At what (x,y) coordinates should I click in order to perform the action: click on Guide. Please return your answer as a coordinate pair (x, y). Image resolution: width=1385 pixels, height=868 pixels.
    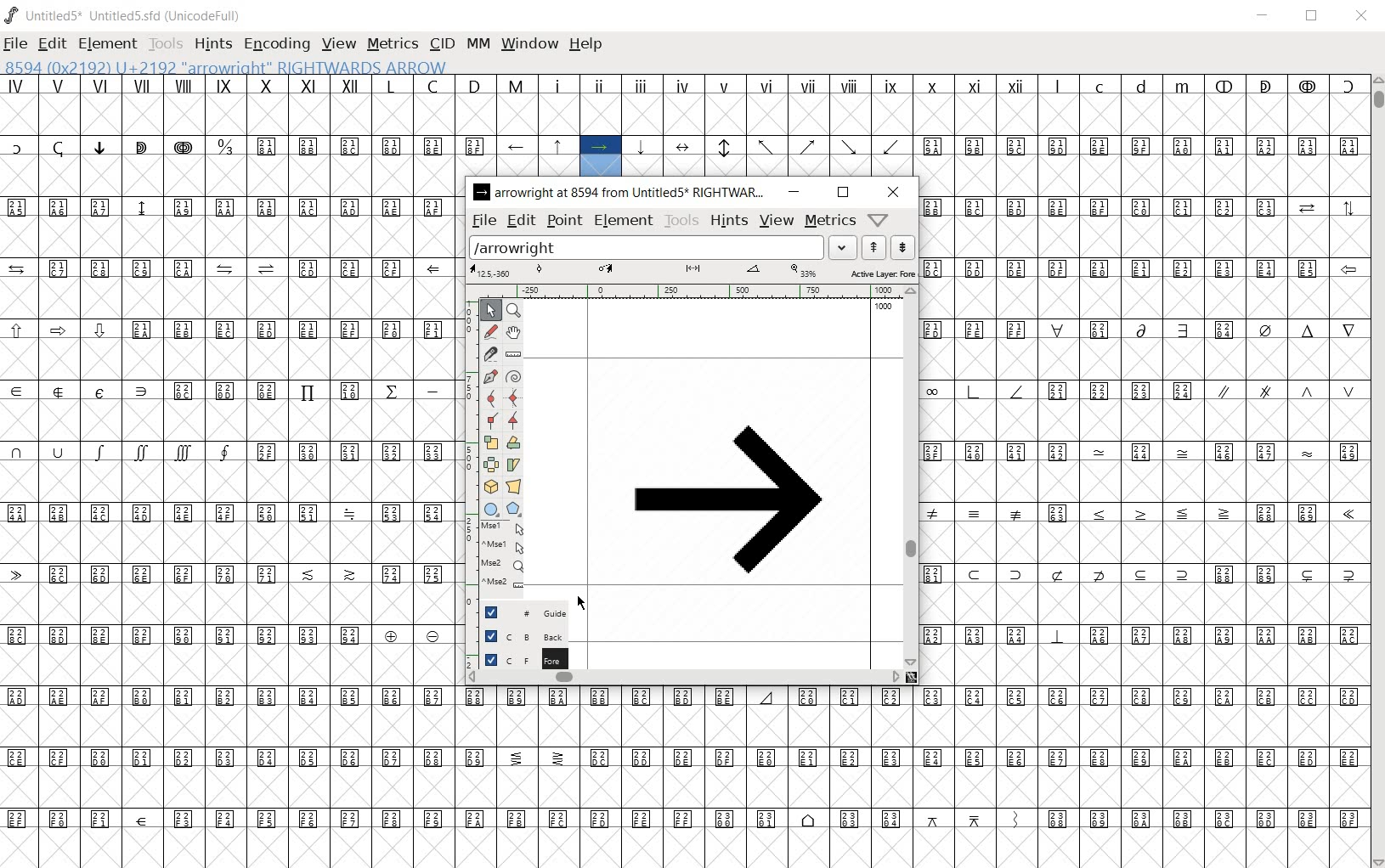
    Looking at the image, I should click on (517, 612).